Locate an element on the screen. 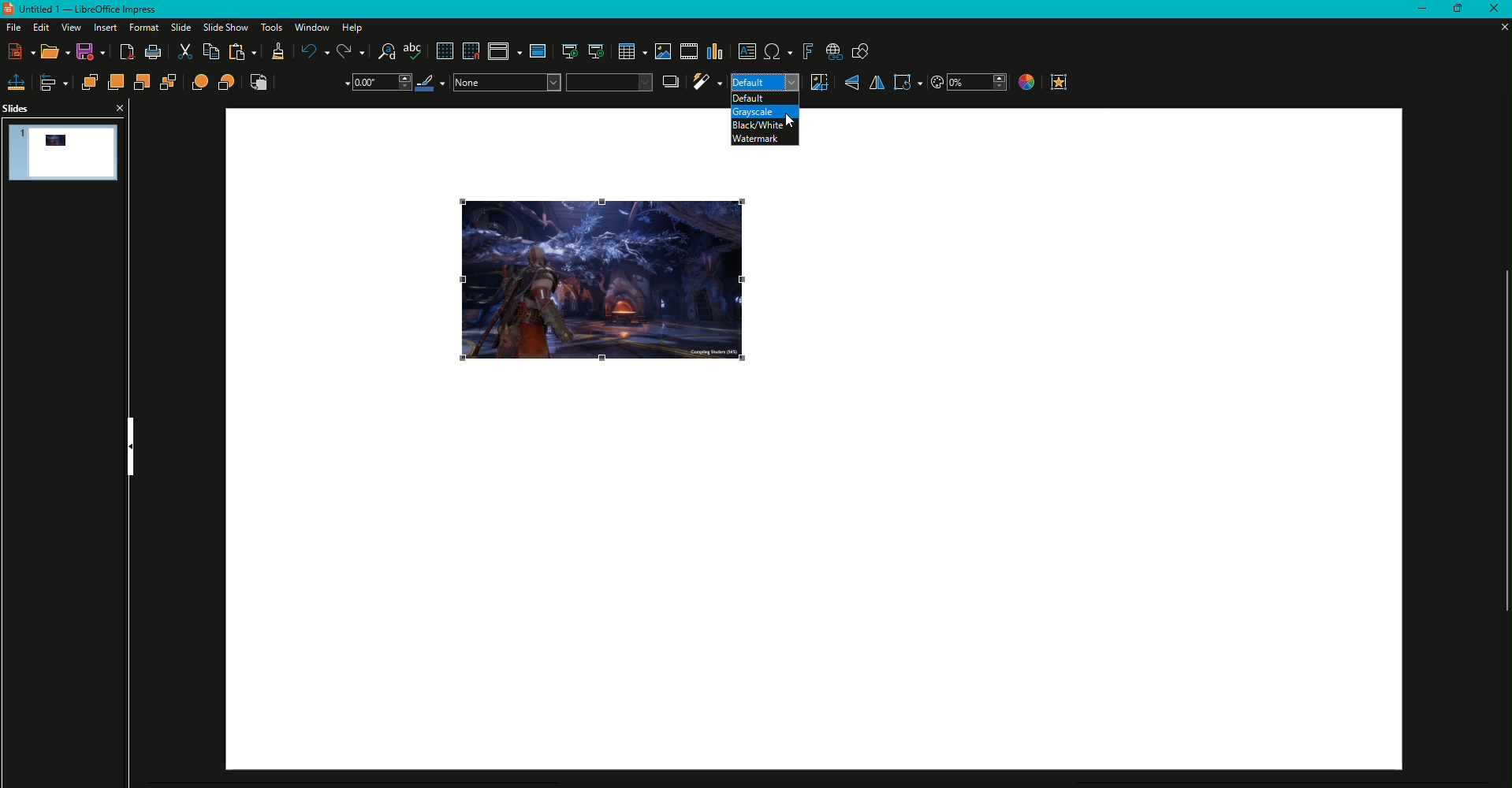 Image resolution: width=1512 pixels, height=788 pixels. Area/Style is located at coordinates (552, 82).